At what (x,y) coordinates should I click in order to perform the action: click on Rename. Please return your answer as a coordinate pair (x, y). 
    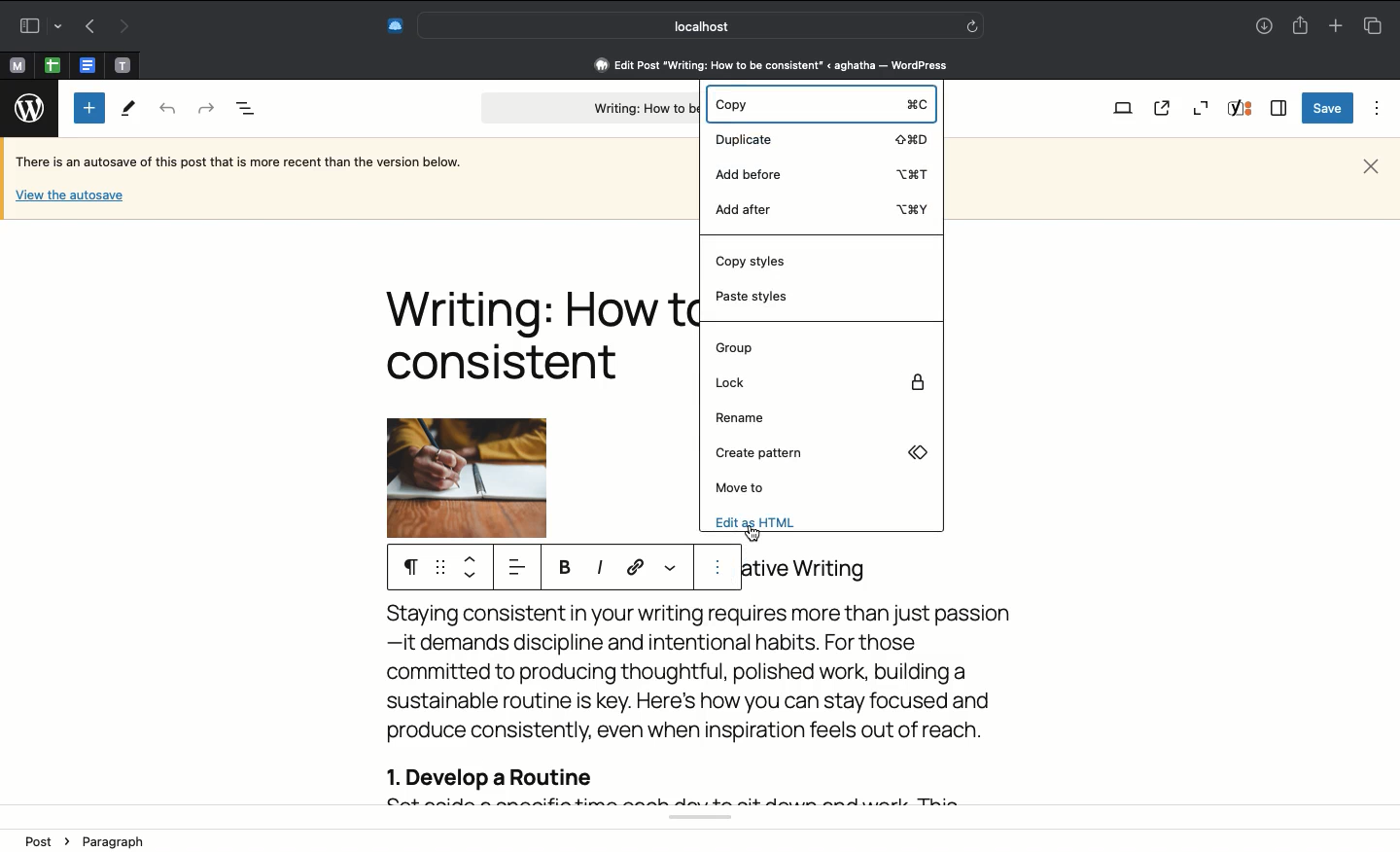
    Looking at the image, I should click on (742, 418).